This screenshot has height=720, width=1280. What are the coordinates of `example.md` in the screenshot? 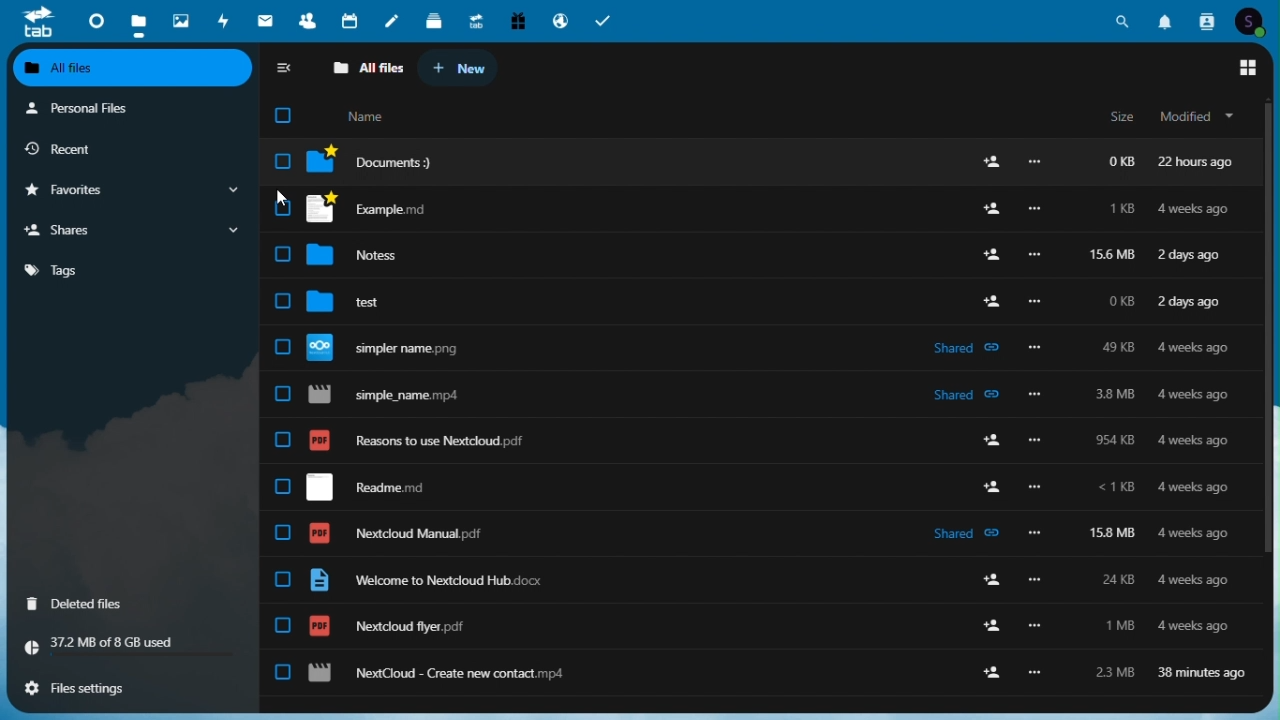 It's located at (367, 209).